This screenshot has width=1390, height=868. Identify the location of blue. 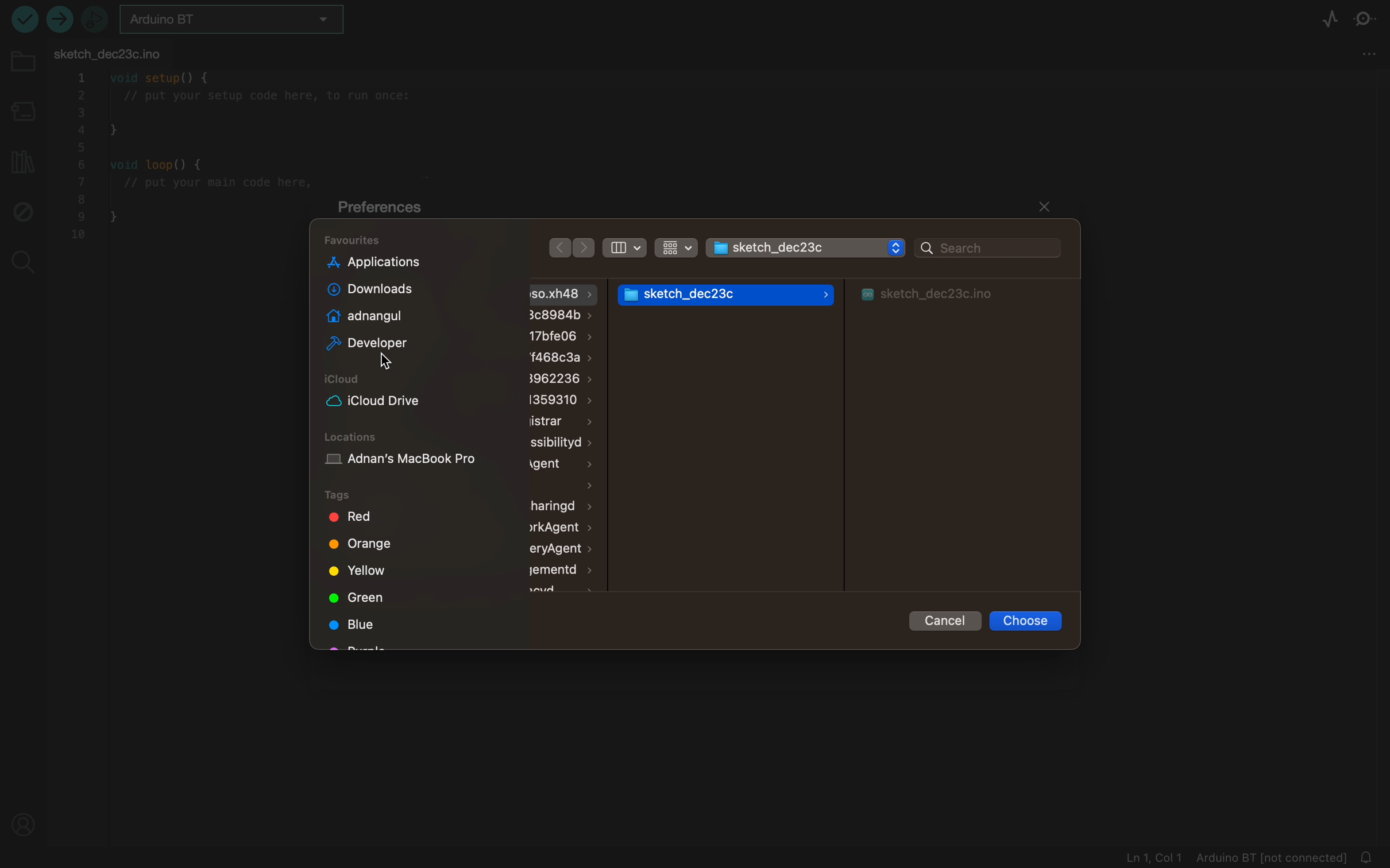
(350, 625).